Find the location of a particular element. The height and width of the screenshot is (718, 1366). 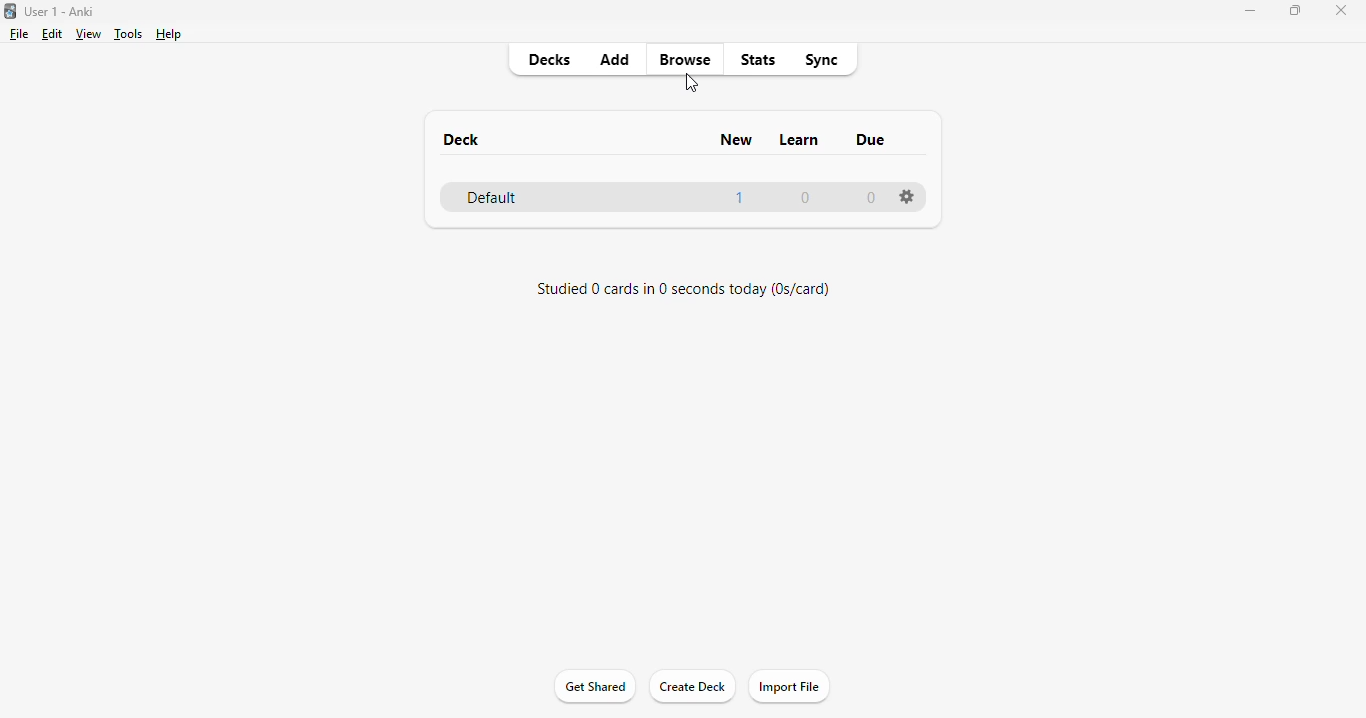

help is located at coordinates (167, 34).